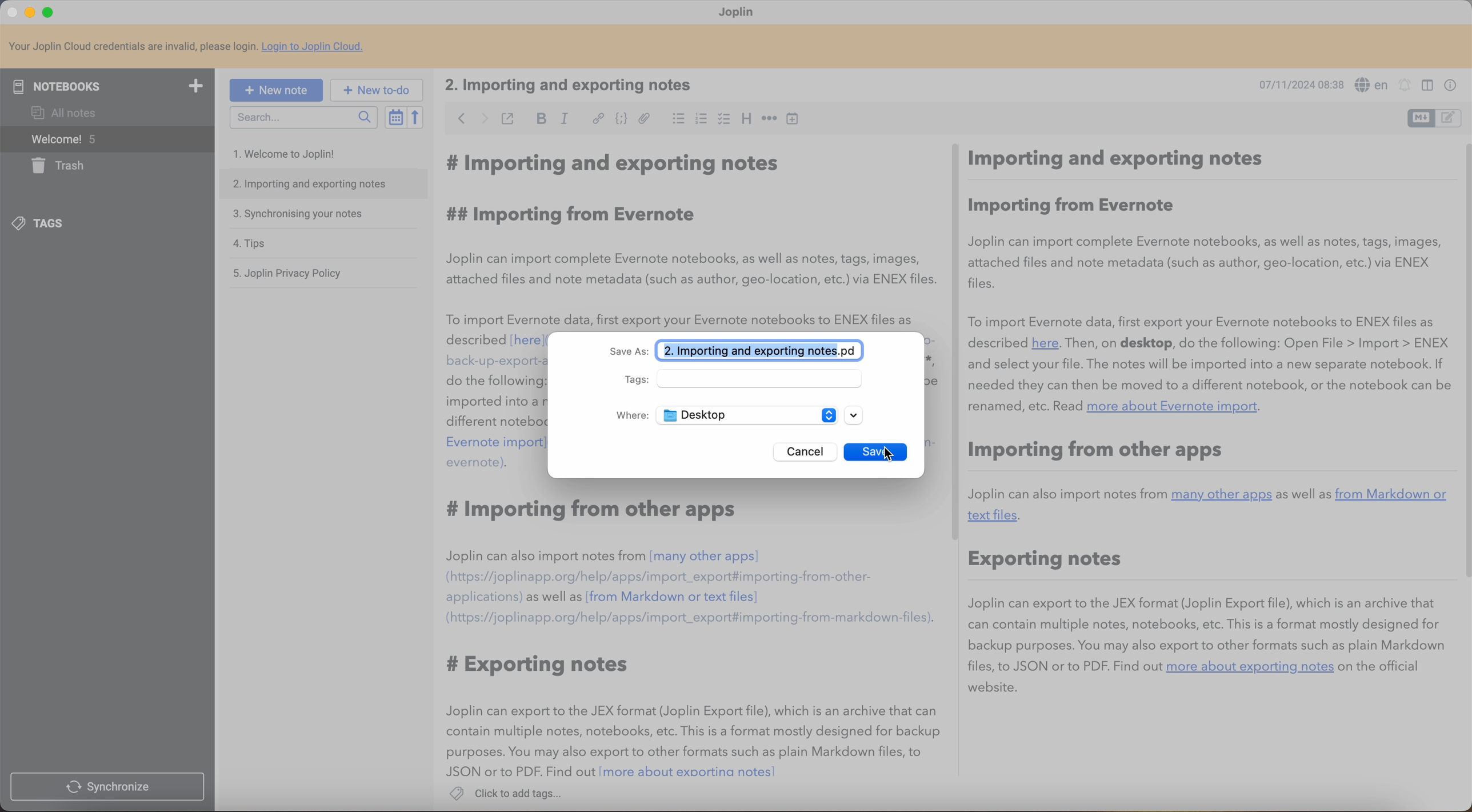 This screenshot has height=812, width=1472. Describe the element at coordinates (863, 451) in the screenshot. I see `save` at that location.